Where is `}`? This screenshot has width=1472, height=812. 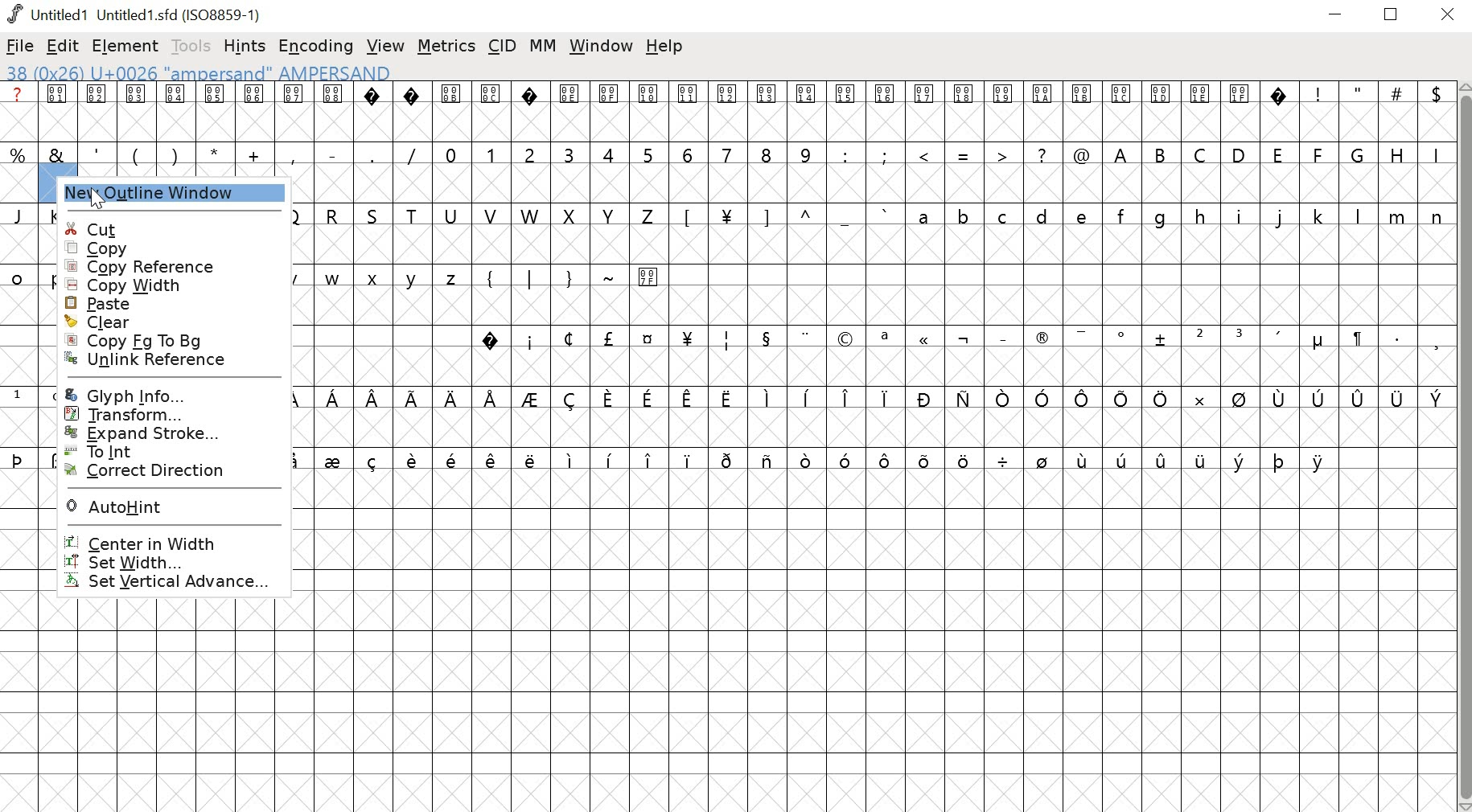 } is located at coordinates (571, 276).